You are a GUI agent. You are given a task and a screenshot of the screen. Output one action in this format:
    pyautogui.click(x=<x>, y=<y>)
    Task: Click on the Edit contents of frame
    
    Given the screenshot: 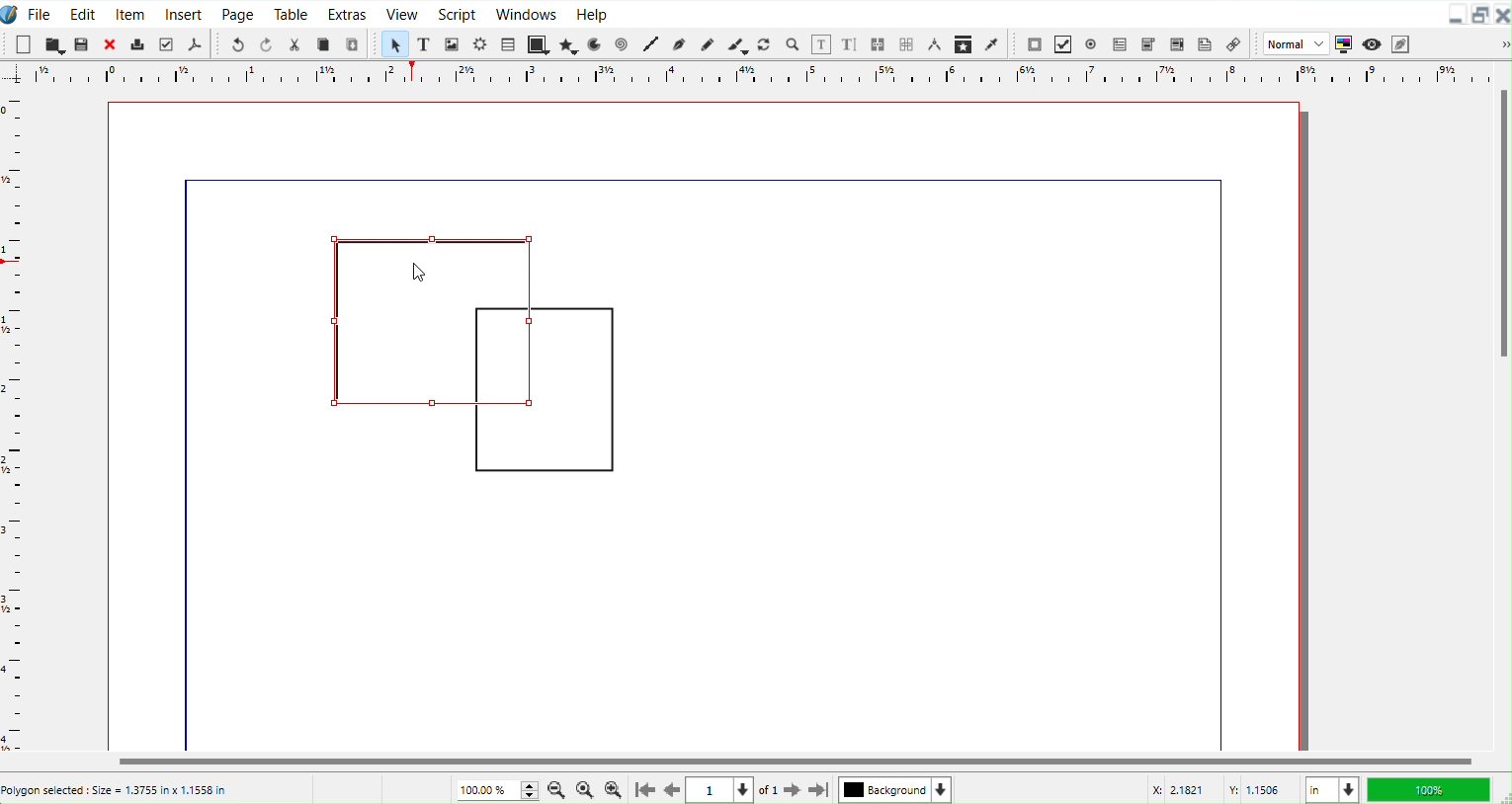 What is the action you would take?
    pyautogui.click(x=821, y=44)
    